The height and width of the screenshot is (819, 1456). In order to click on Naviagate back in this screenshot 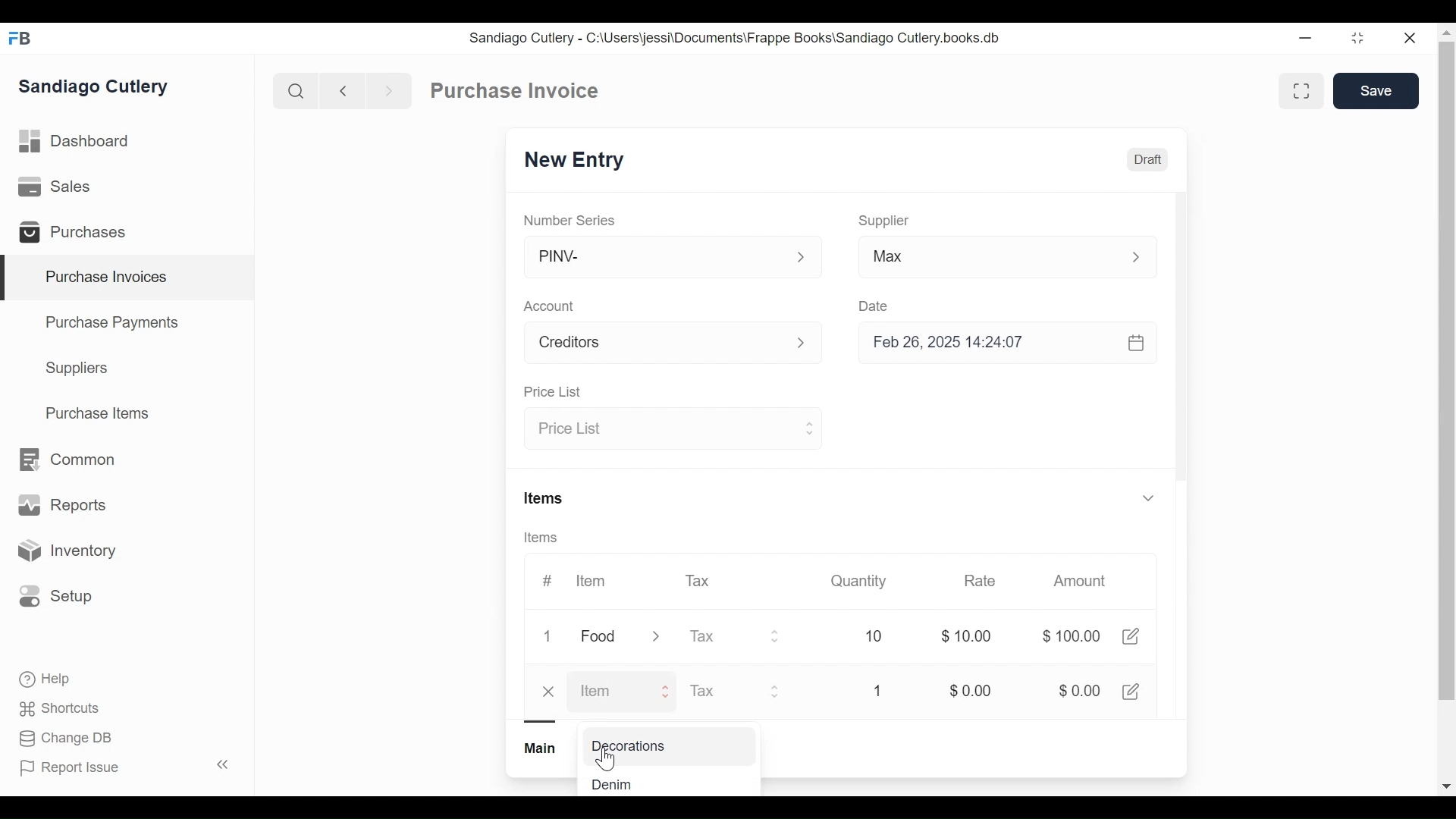, I will do `click(344, 89)`.